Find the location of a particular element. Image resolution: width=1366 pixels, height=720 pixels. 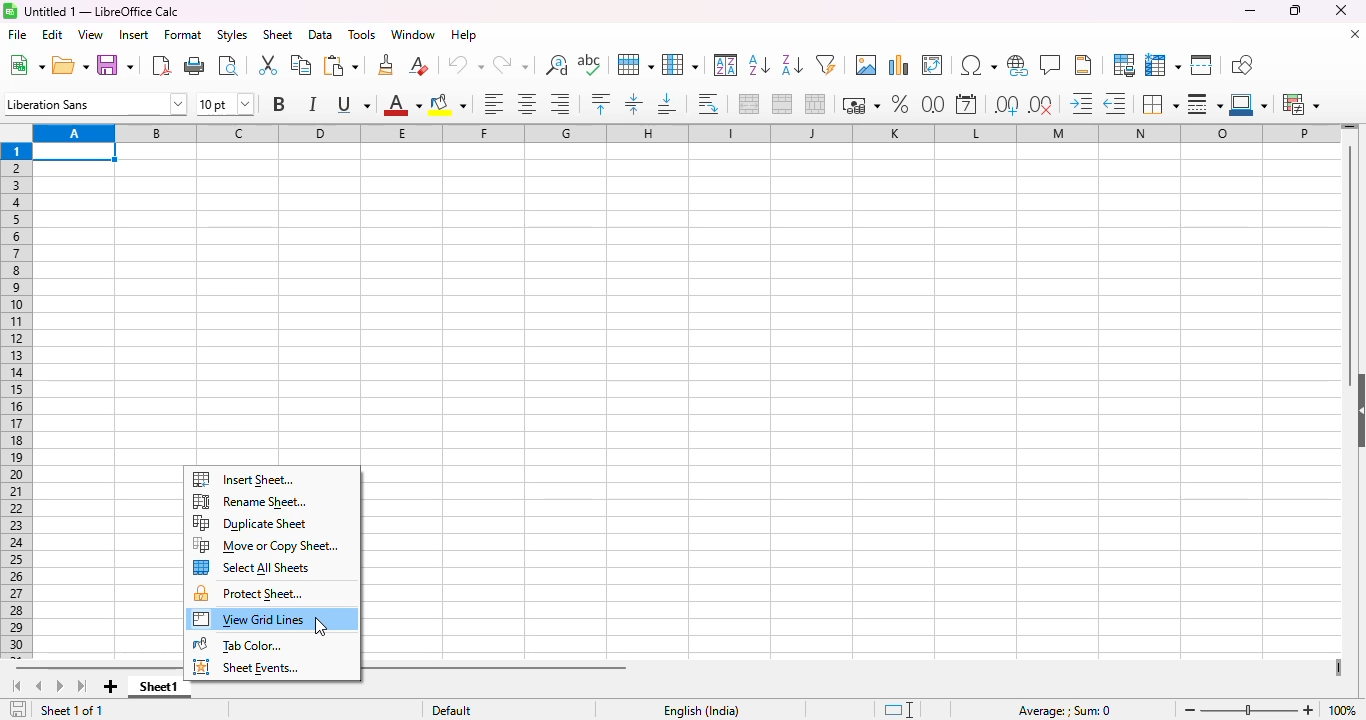

format as date is located at coordinates (968, 104).